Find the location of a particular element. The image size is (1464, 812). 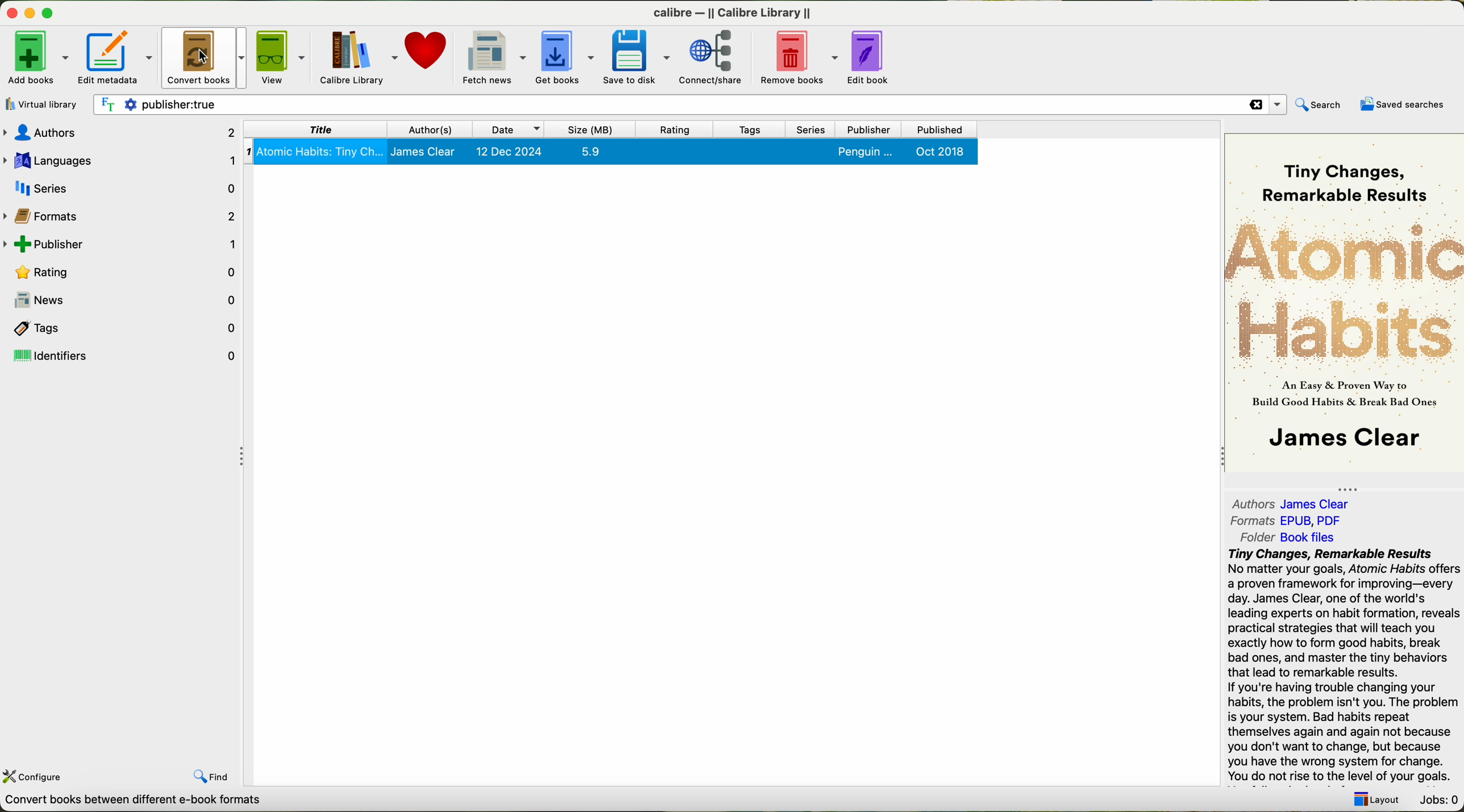

authors is located at coordinates (431, 130).